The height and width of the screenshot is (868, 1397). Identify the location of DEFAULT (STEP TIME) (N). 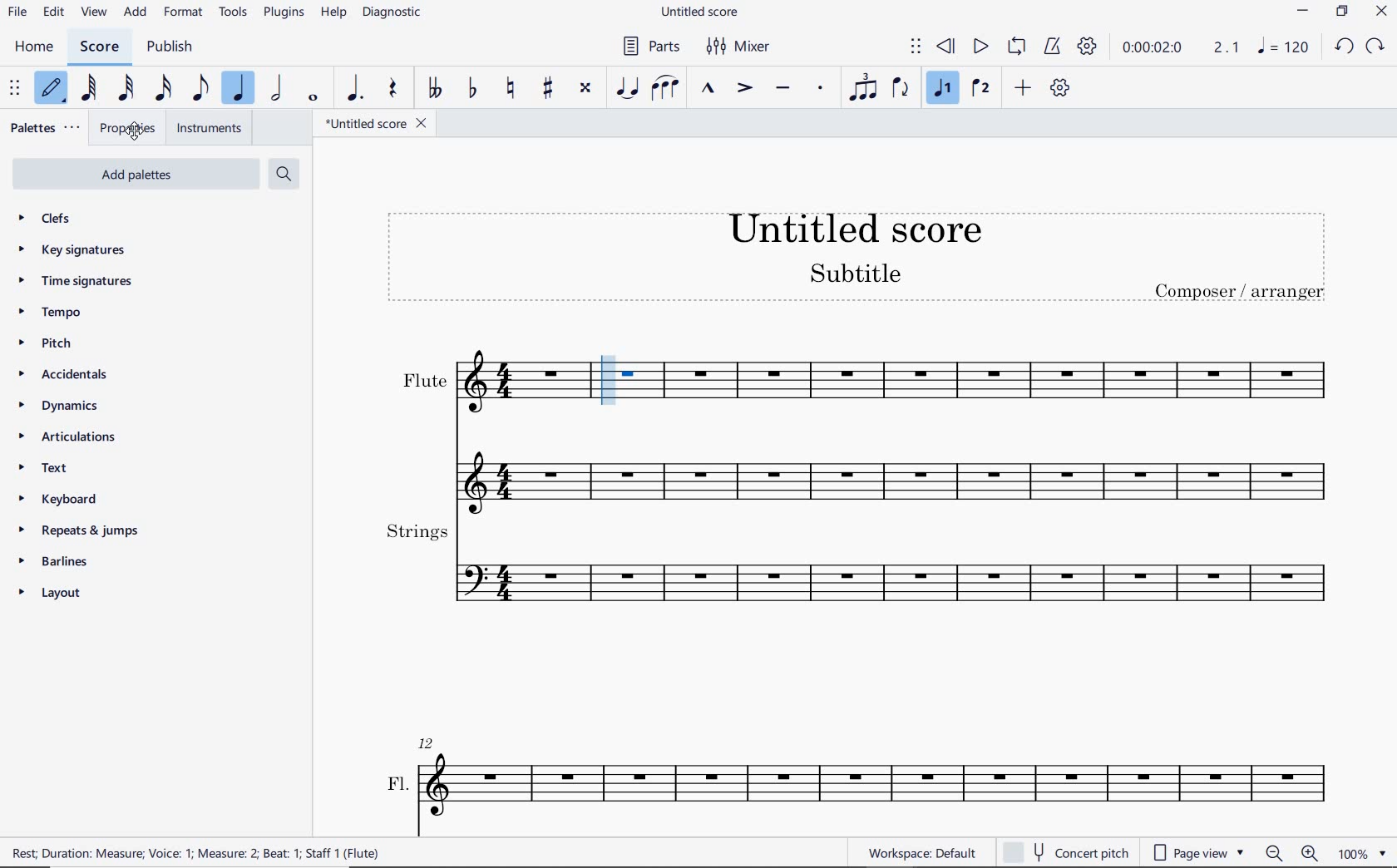
(51, 89).